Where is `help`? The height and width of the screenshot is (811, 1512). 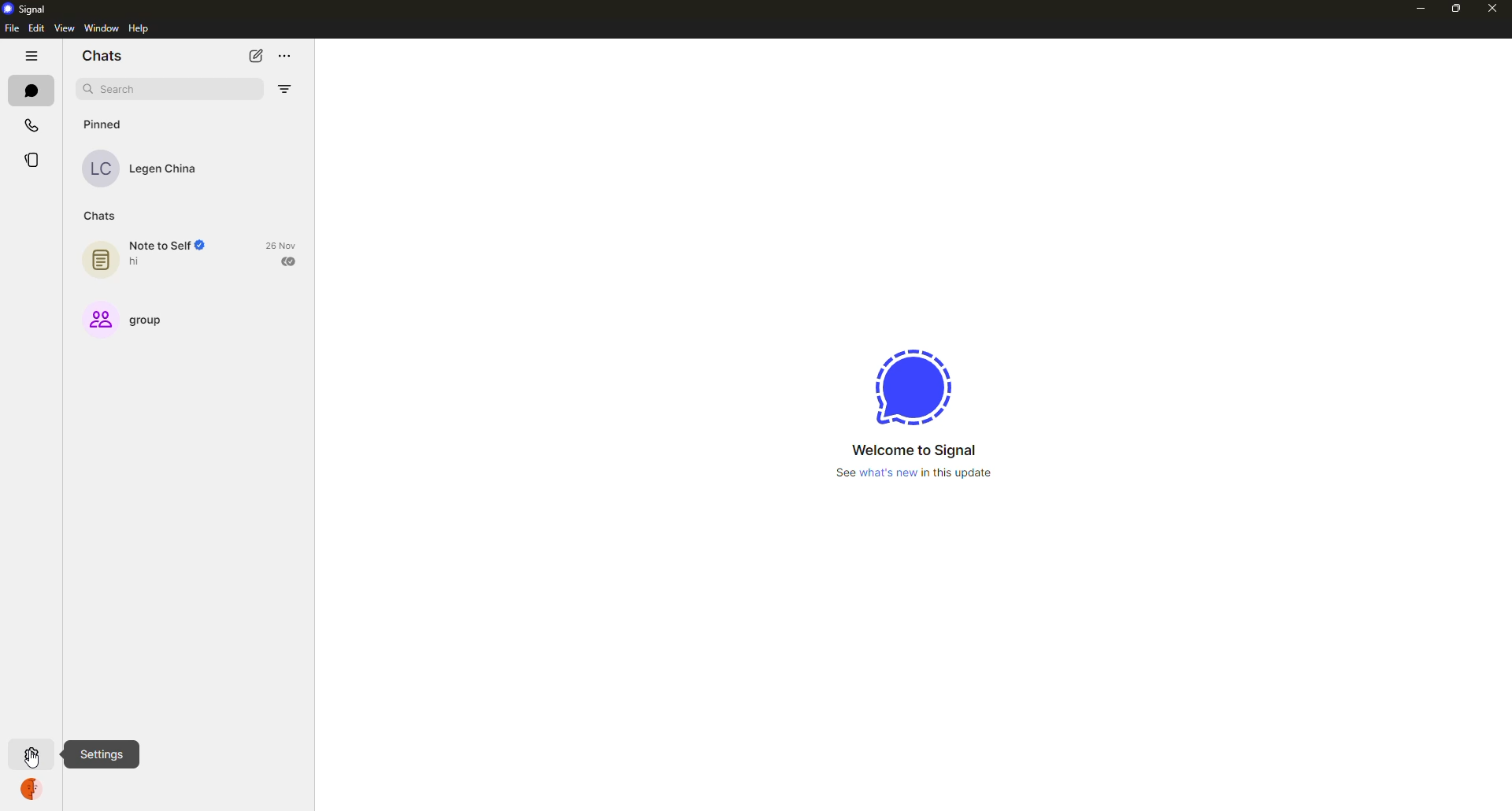 help is located at coordinates (139, 28).